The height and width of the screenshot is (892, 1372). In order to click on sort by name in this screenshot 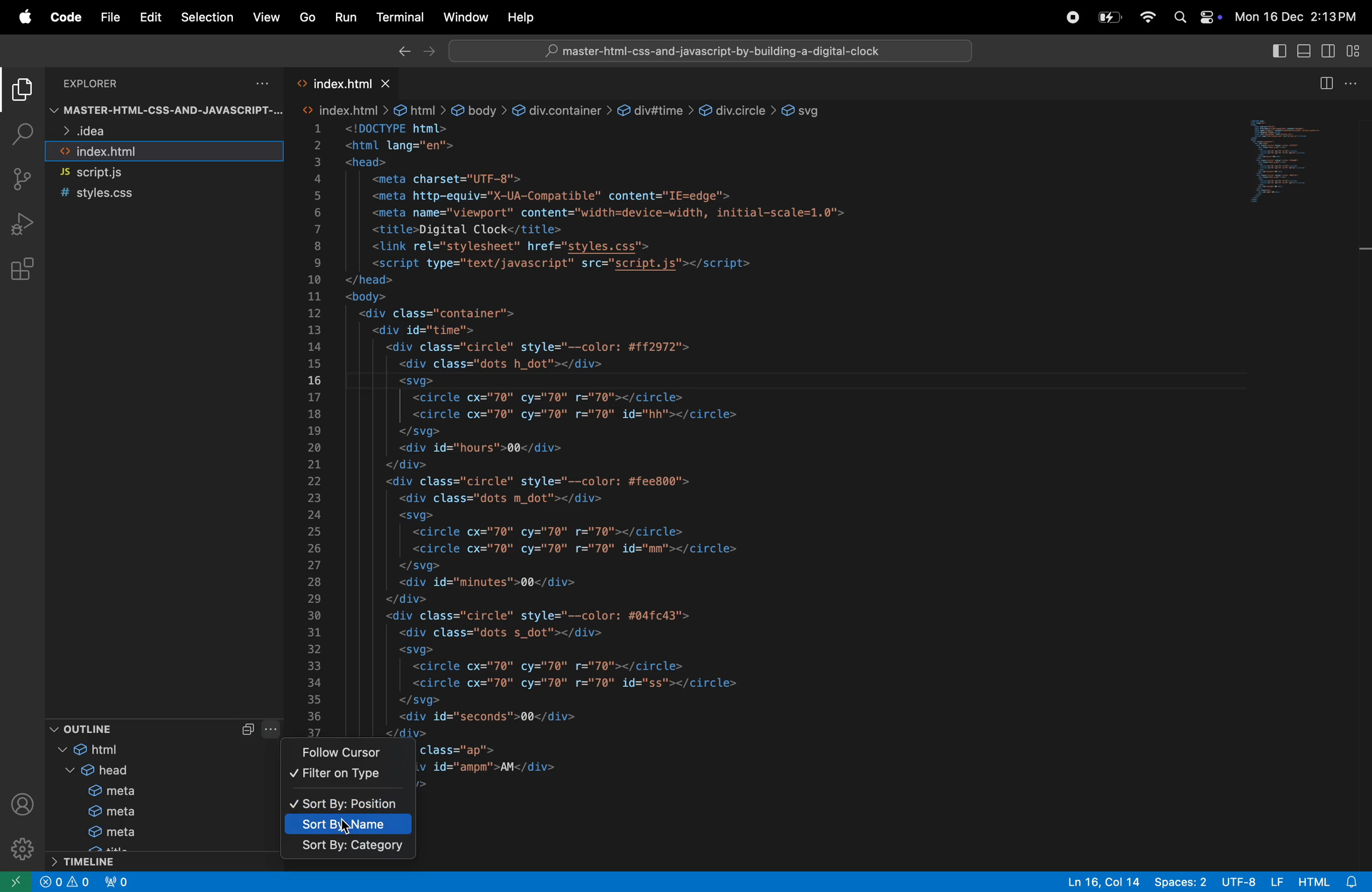, I will do `click(345, 826)`.